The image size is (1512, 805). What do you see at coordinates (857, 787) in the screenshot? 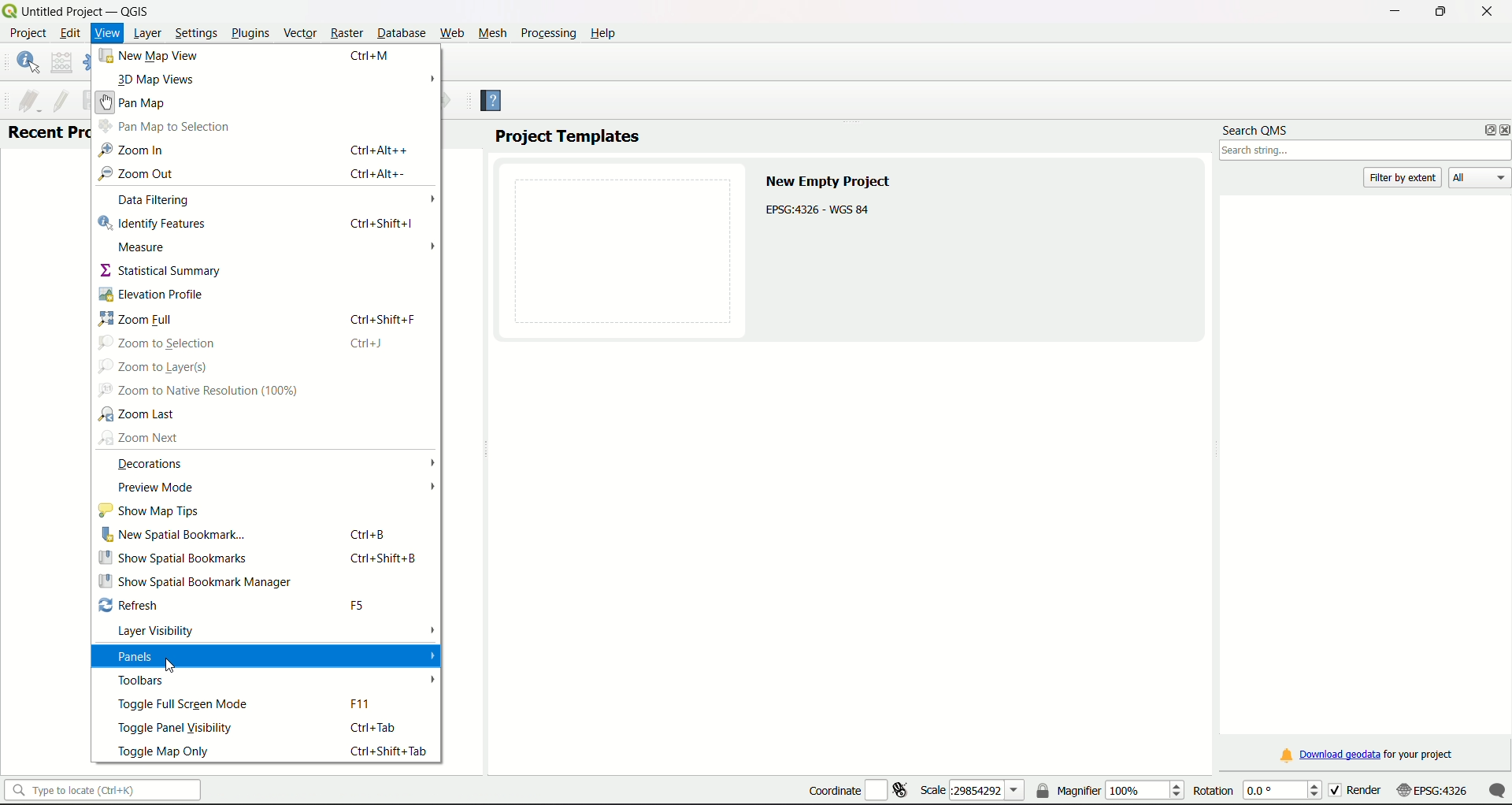
I see `coordinate` at bounding box center [857, 787].